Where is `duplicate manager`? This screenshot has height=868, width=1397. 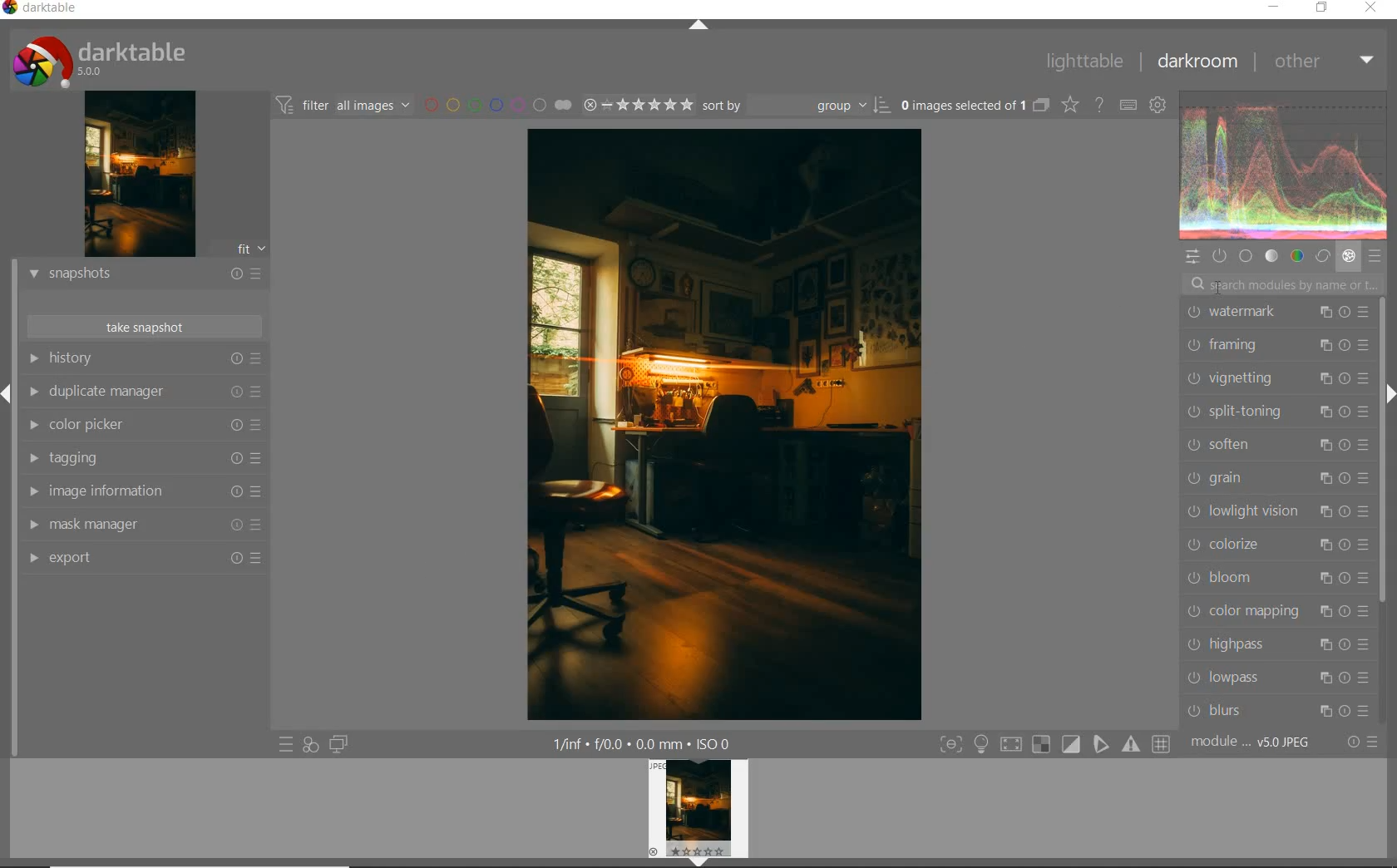
duplicate manager is located at coordinates (143, 392).